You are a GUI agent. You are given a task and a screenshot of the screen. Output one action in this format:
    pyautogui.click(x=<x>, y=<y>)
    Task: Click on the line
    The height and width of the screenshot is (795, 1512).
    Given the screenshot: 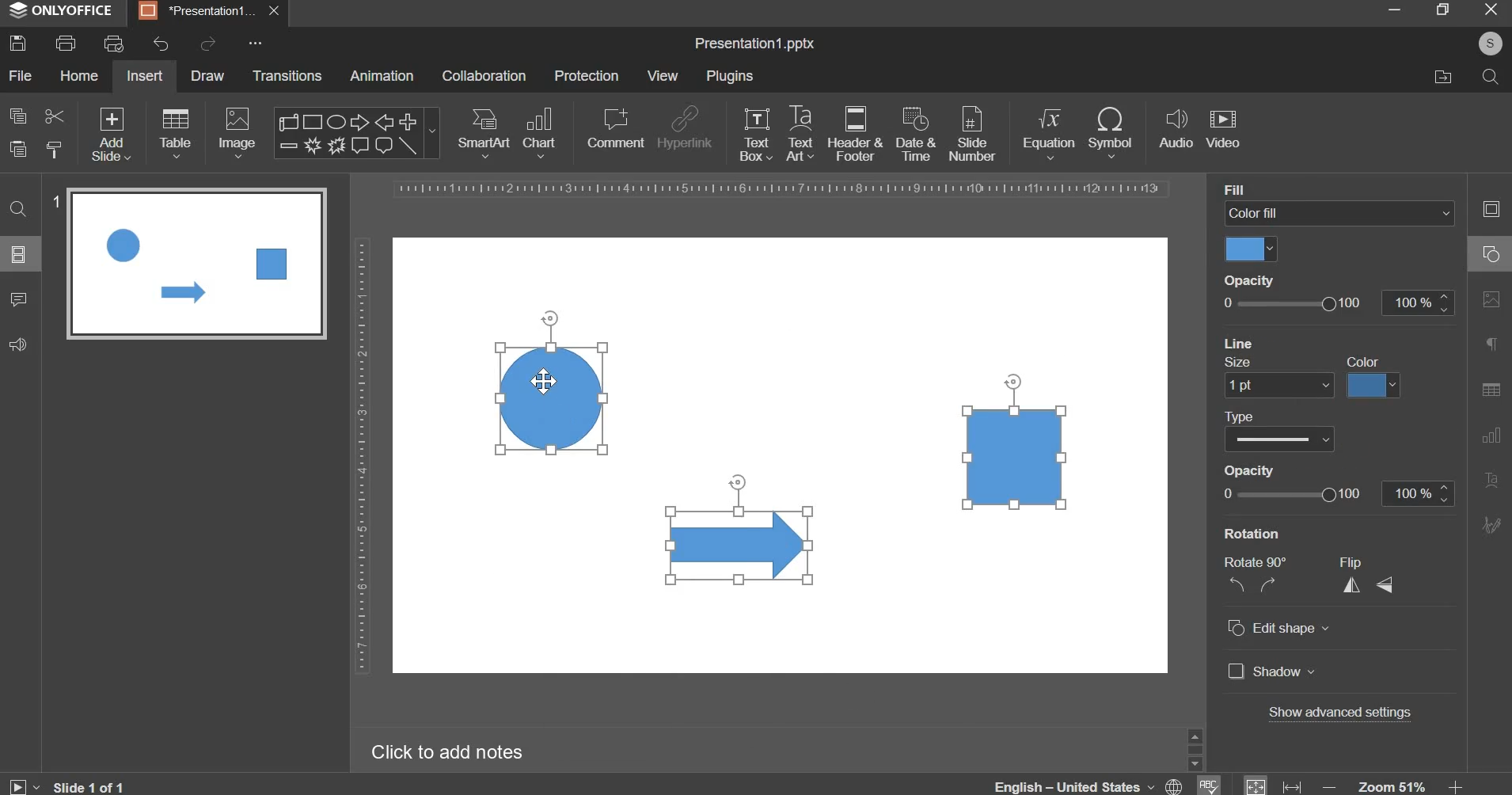 What is the action you would take?
    pyautogui.click(x=1240, y=340)
    